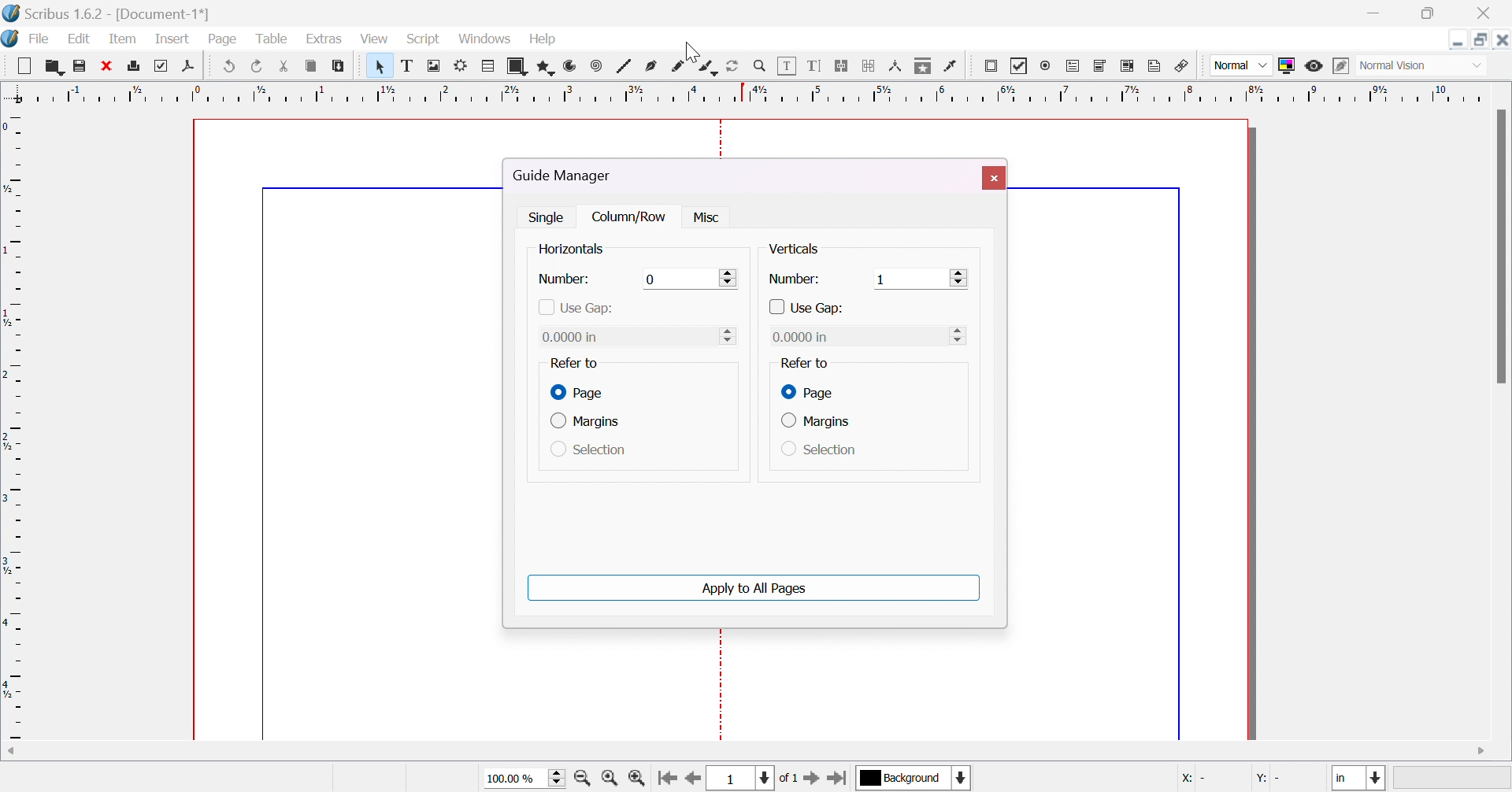  I want to click on Restore down, so click(1482, 39).